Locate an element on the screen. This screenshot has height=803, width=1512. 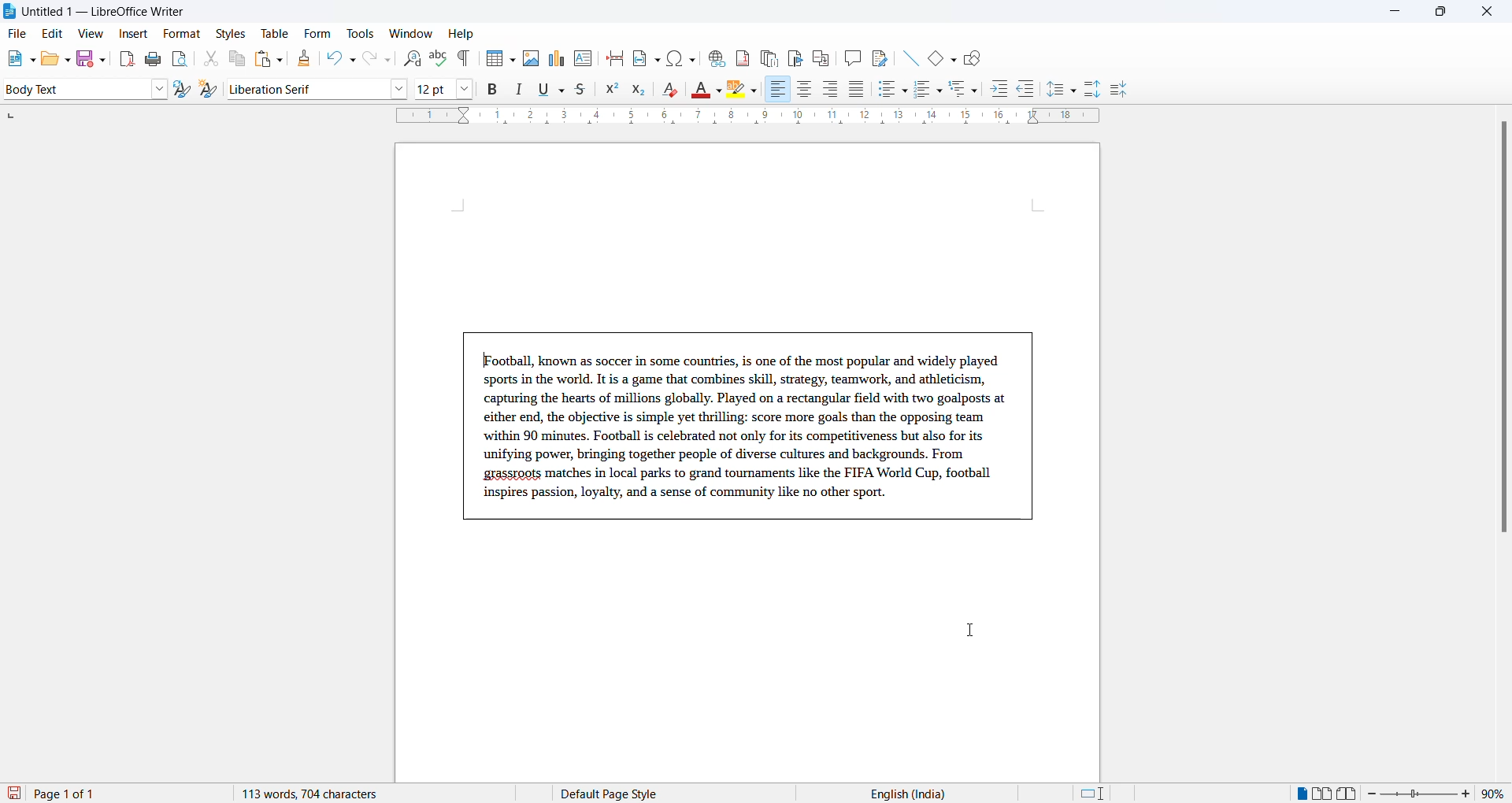
total page and current page is located at coordinates (79, 794).